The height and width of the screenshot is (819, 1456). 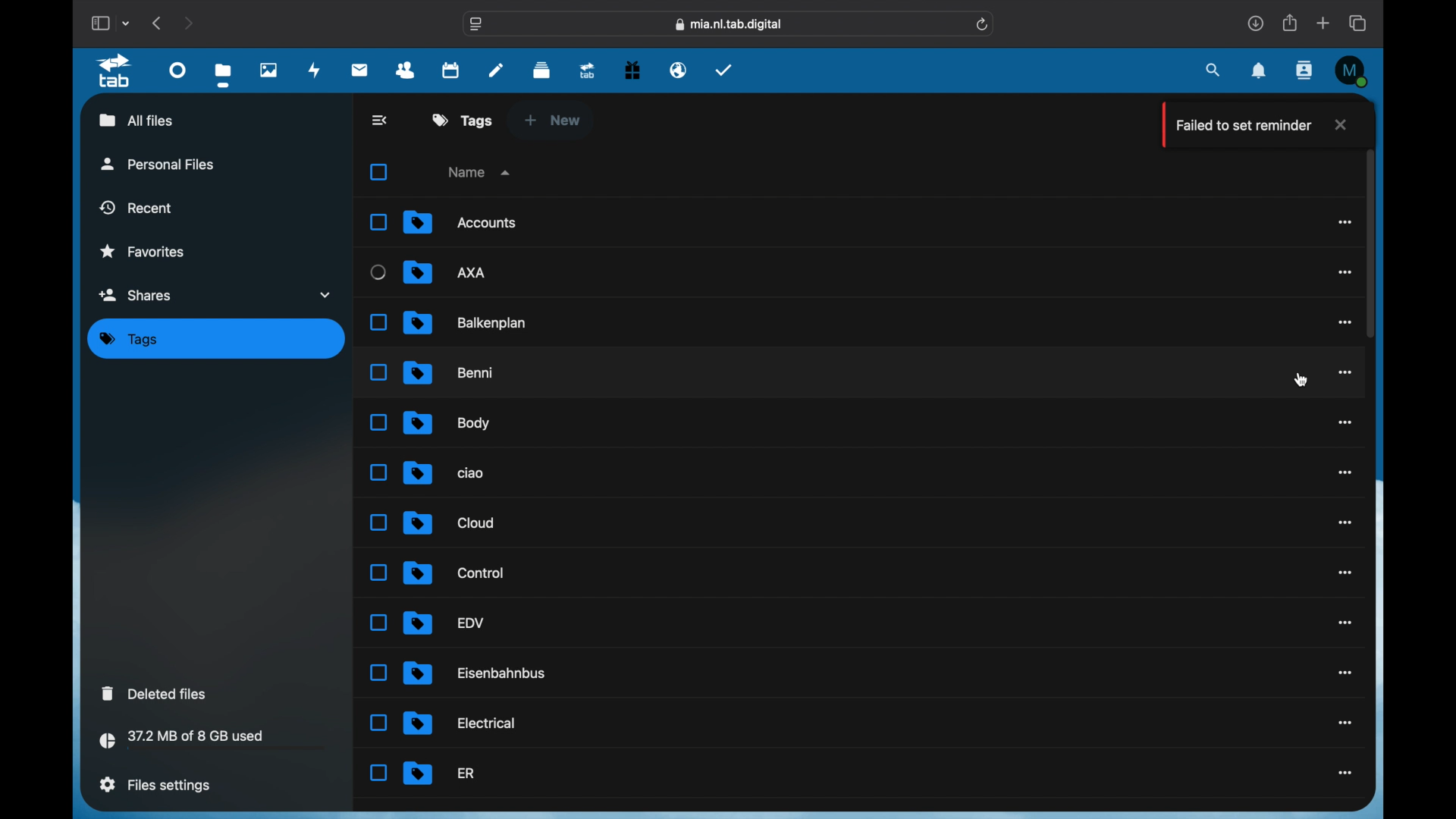 I want to click on file, so click(x=460, y=723).